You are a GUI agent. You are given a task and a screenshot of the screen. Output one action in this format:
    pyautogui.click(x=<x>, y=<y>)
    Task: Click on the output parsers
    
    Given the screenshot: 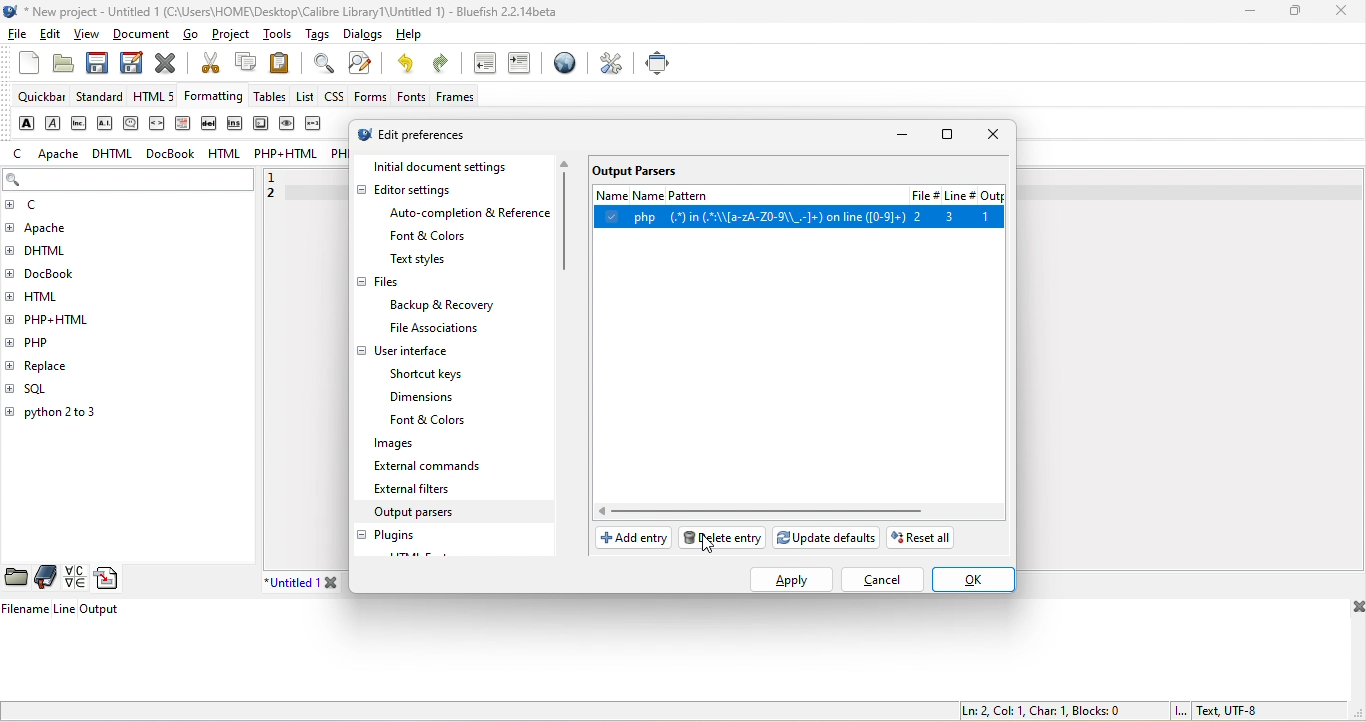 What is the action you would take?
    pyautogui.click(x=432, y=514)
    